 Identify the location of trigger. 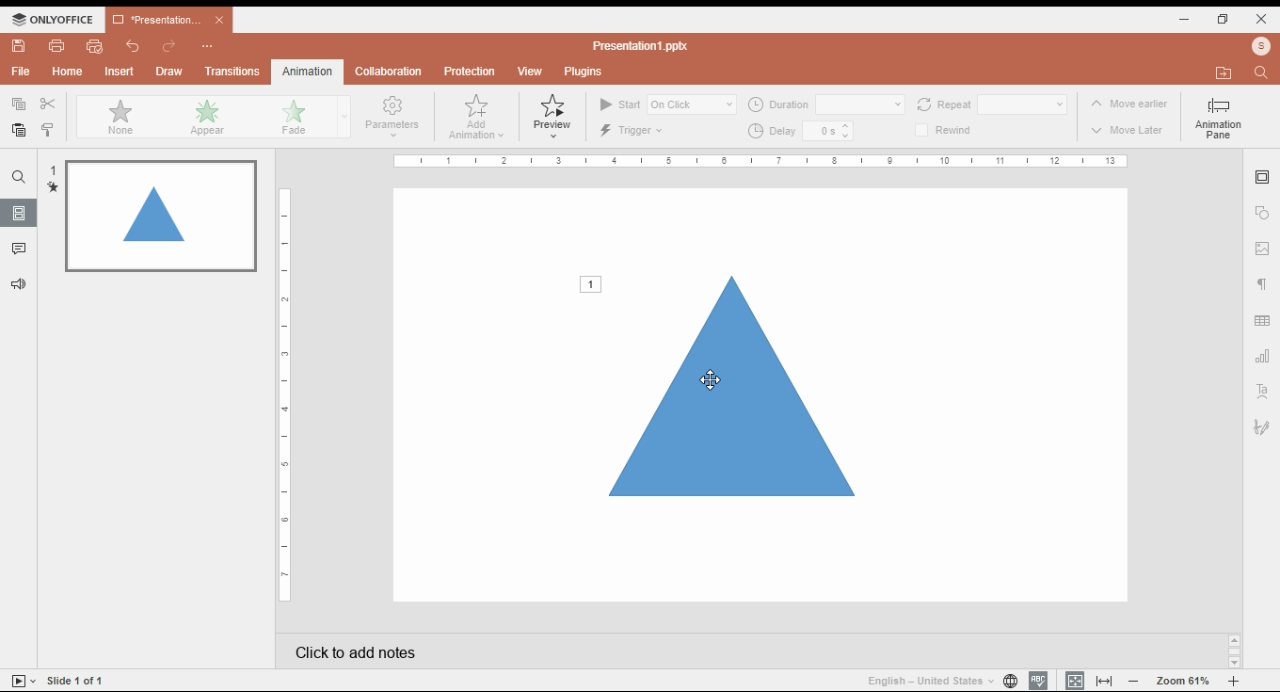
(634, 131).